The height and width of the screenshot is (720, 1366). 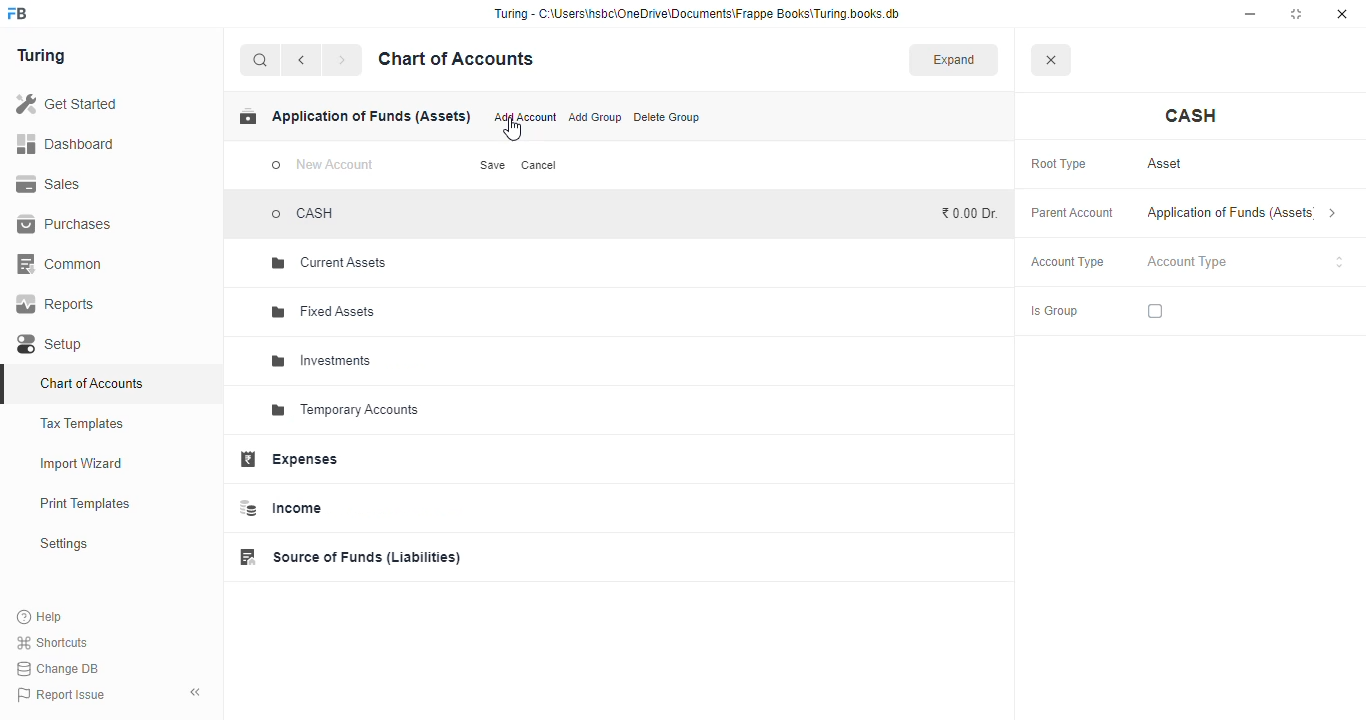 What do you see at coordinates (526, 116) in the screenshot?
I see `add account` at bounding box center [526, 116].